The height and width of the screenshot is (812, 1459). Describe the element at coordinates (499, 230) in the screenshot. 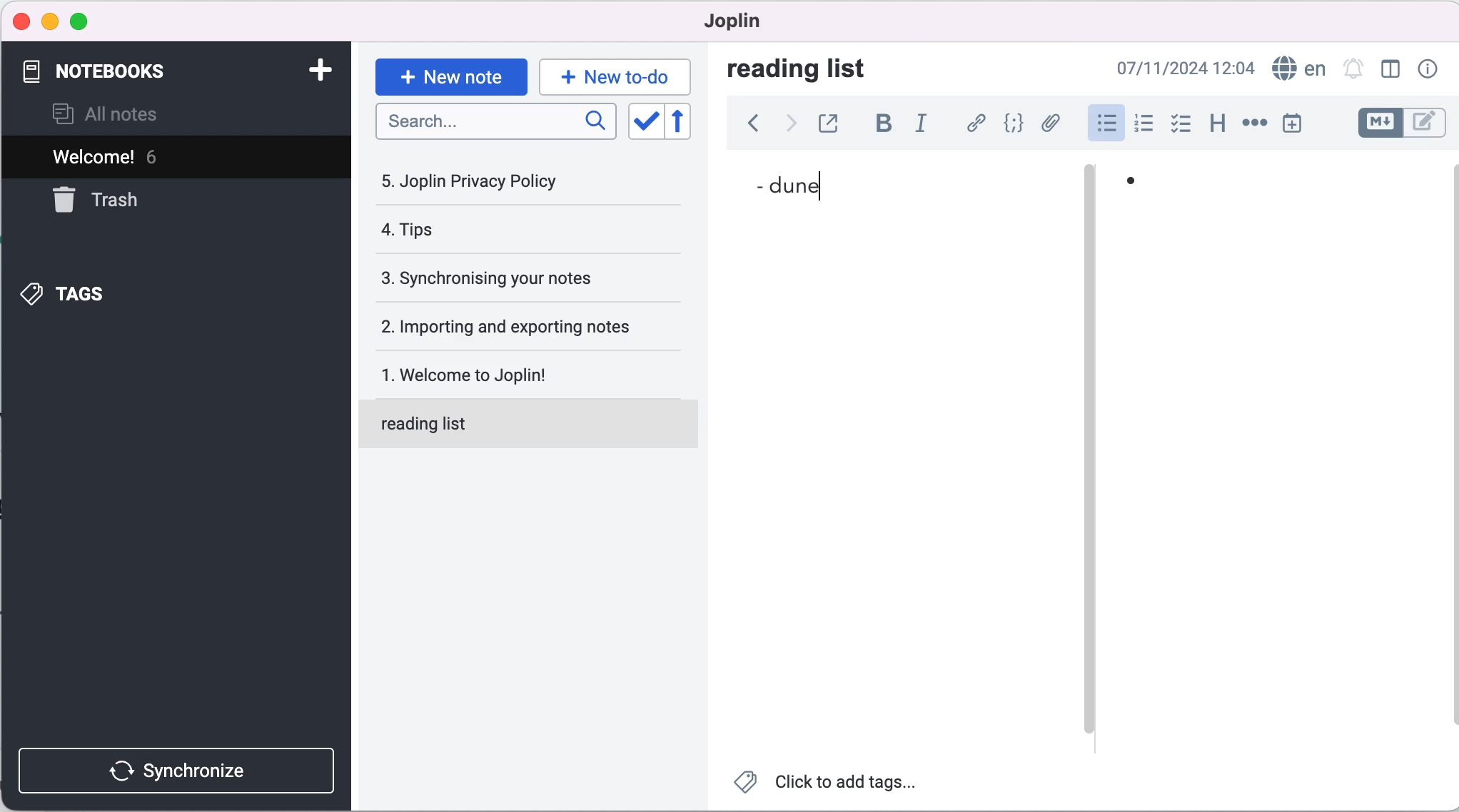

I see `tips` at that location.